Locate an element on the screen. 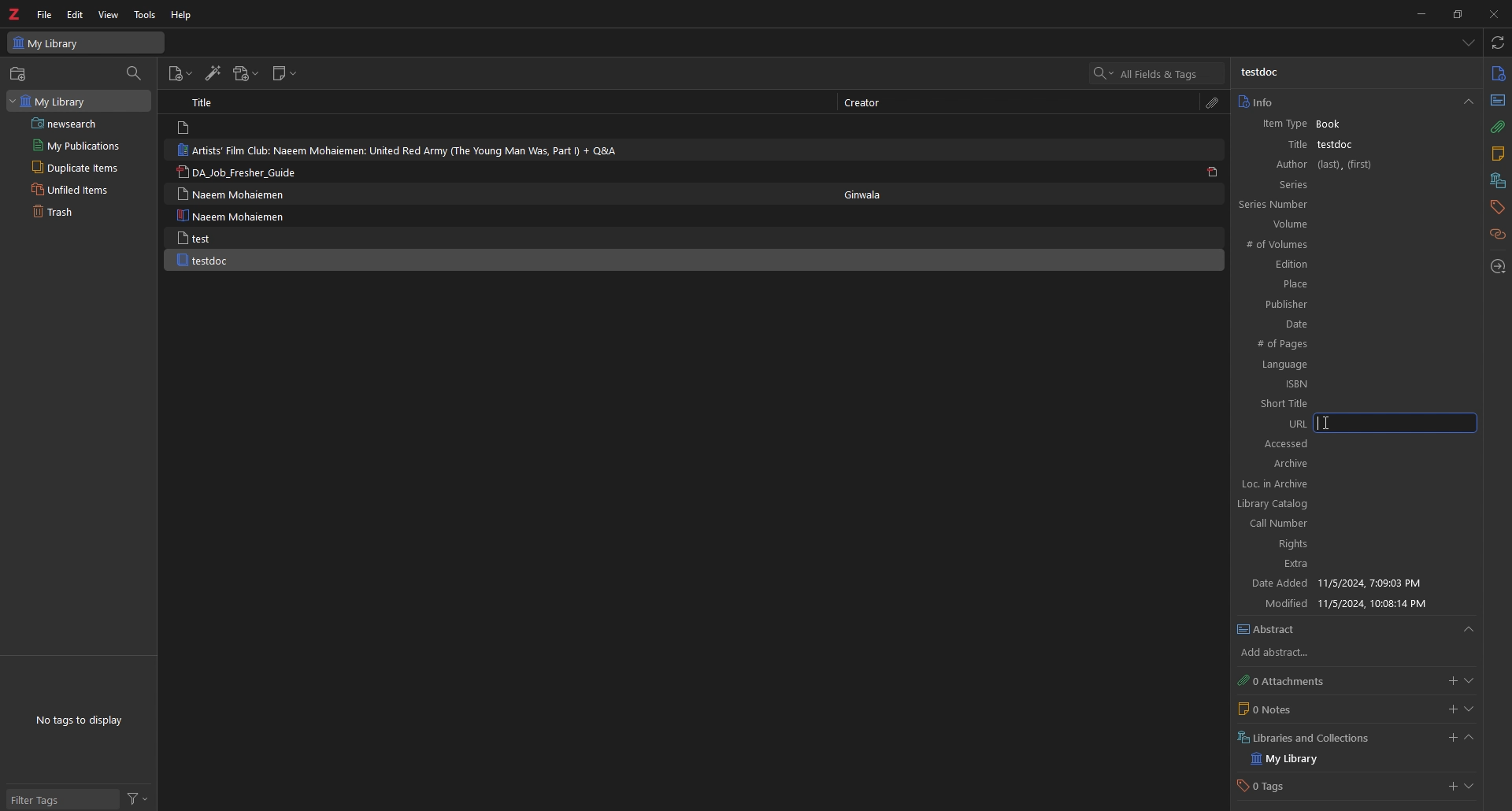 This screenshot has width=1512, height=811. add notes is located at coordinates (1451, 709).